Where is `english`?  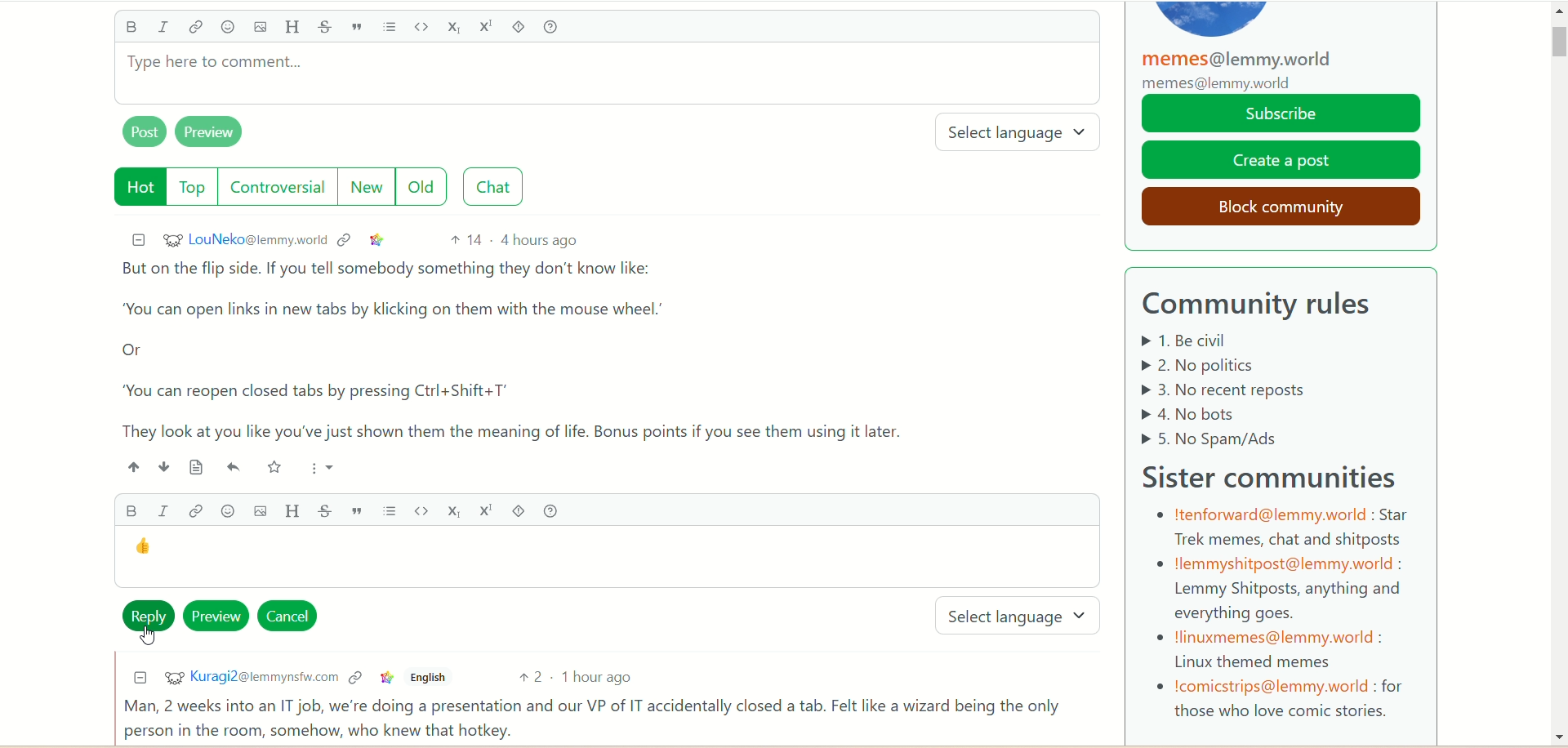 english is located at coordinates (430, 679).